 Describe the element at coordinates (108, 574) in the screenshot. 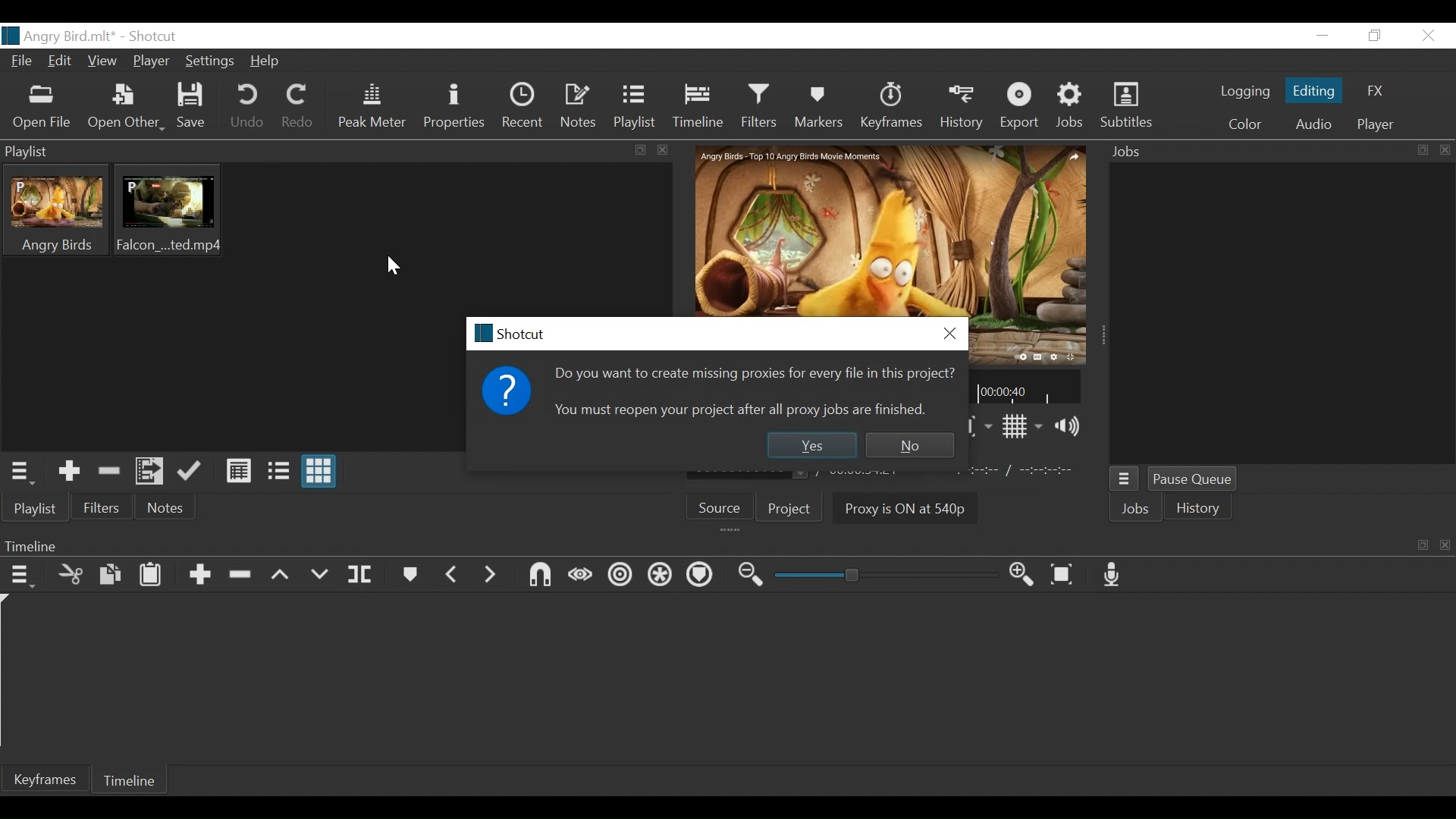

I see `Copy` at that location.